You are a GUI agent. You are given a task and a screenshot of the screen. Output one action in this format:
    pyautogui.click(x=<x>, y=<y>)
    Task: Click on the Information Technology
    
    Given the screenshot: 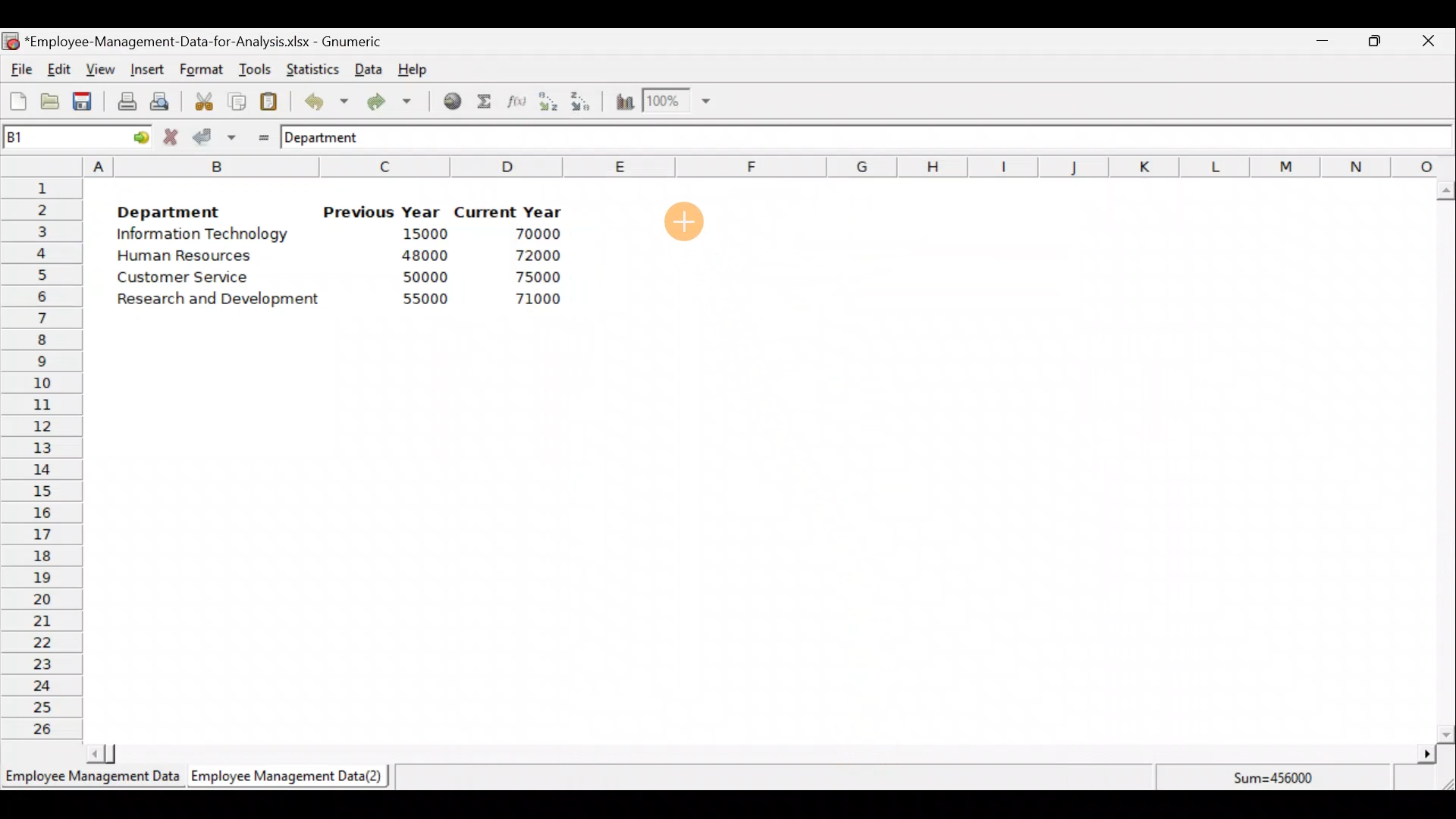 What is the action you would take?
    pyautogui.click(x=205, y=234)
    